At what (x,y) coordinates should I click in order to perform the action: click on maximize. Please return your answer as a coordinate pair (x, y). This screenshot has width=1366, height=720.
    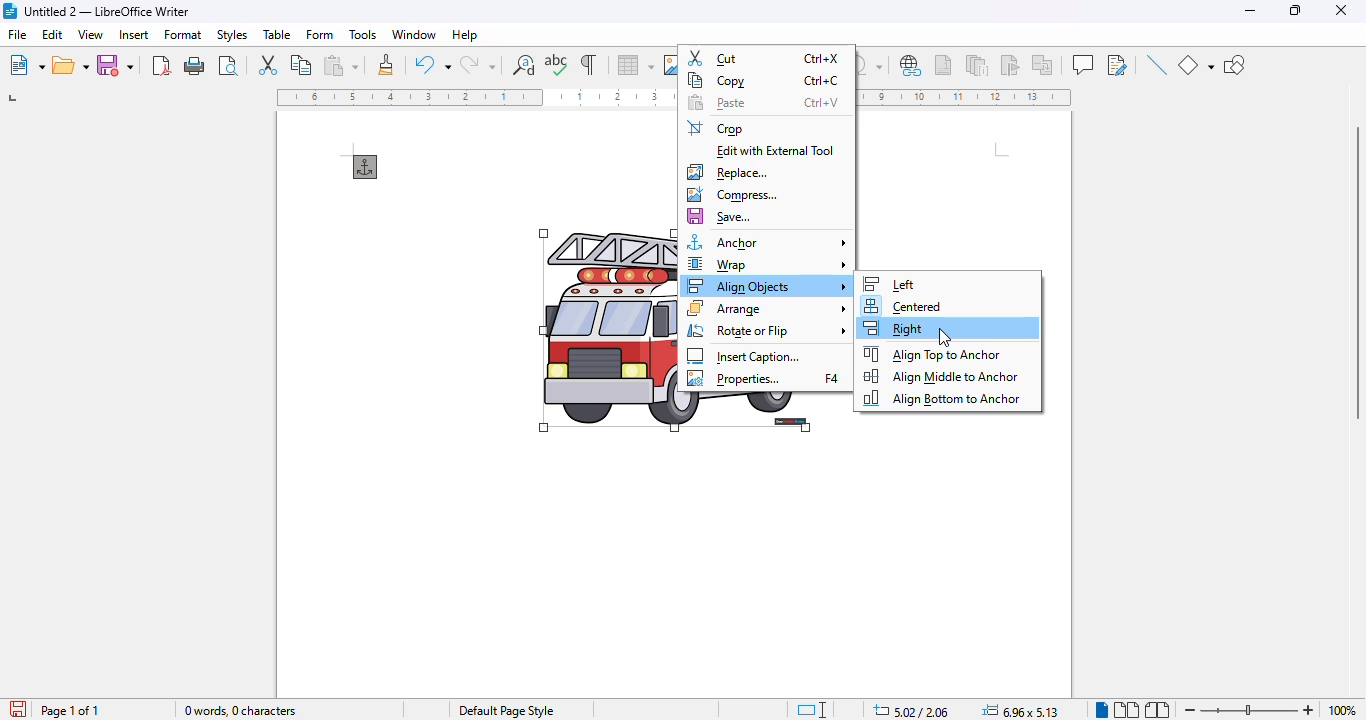
    Looking at the image, I should click on (1298, 11).